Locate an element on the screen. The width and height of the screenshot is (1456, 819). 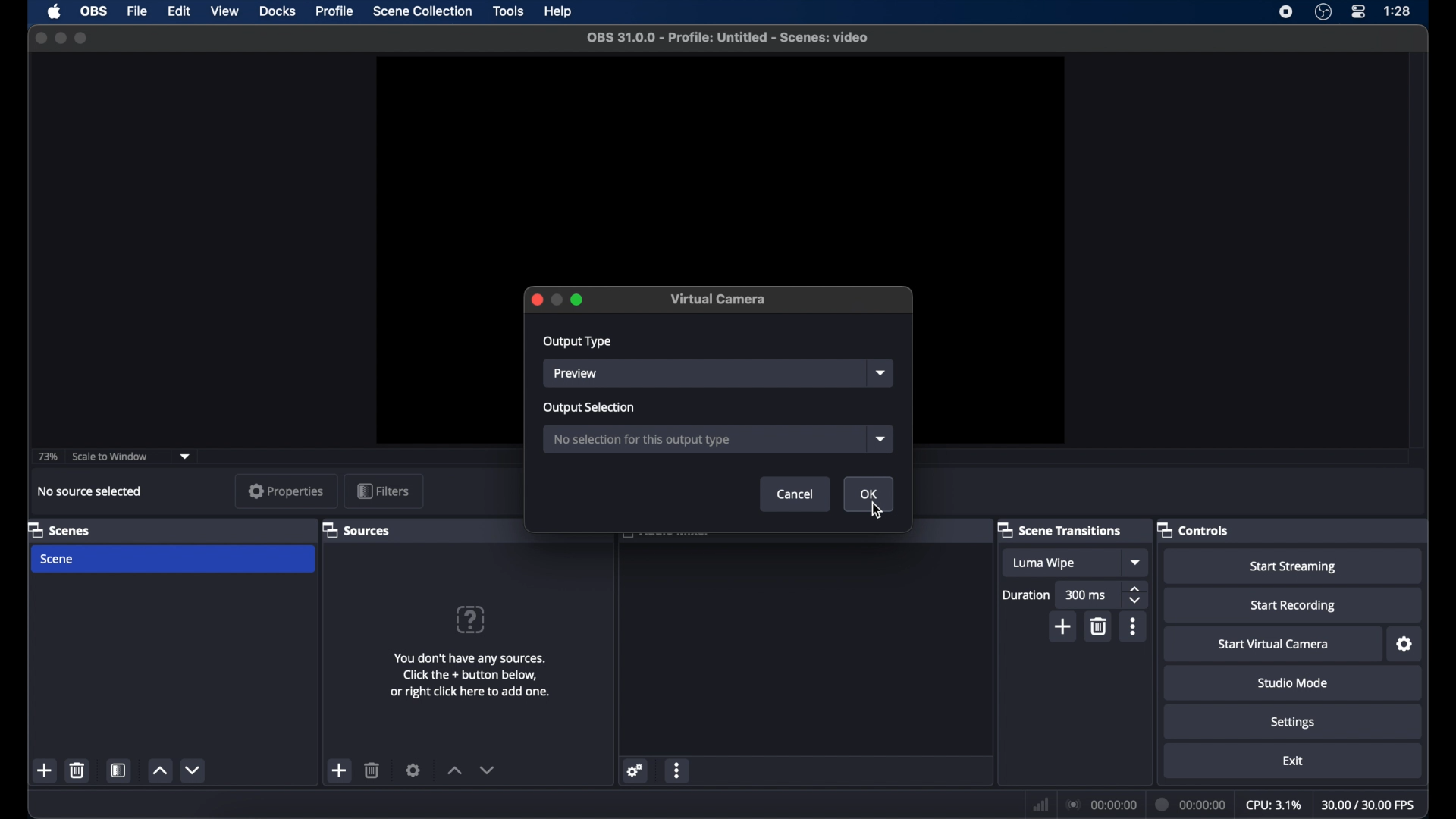
maximize is located at coordinates (579, 299).